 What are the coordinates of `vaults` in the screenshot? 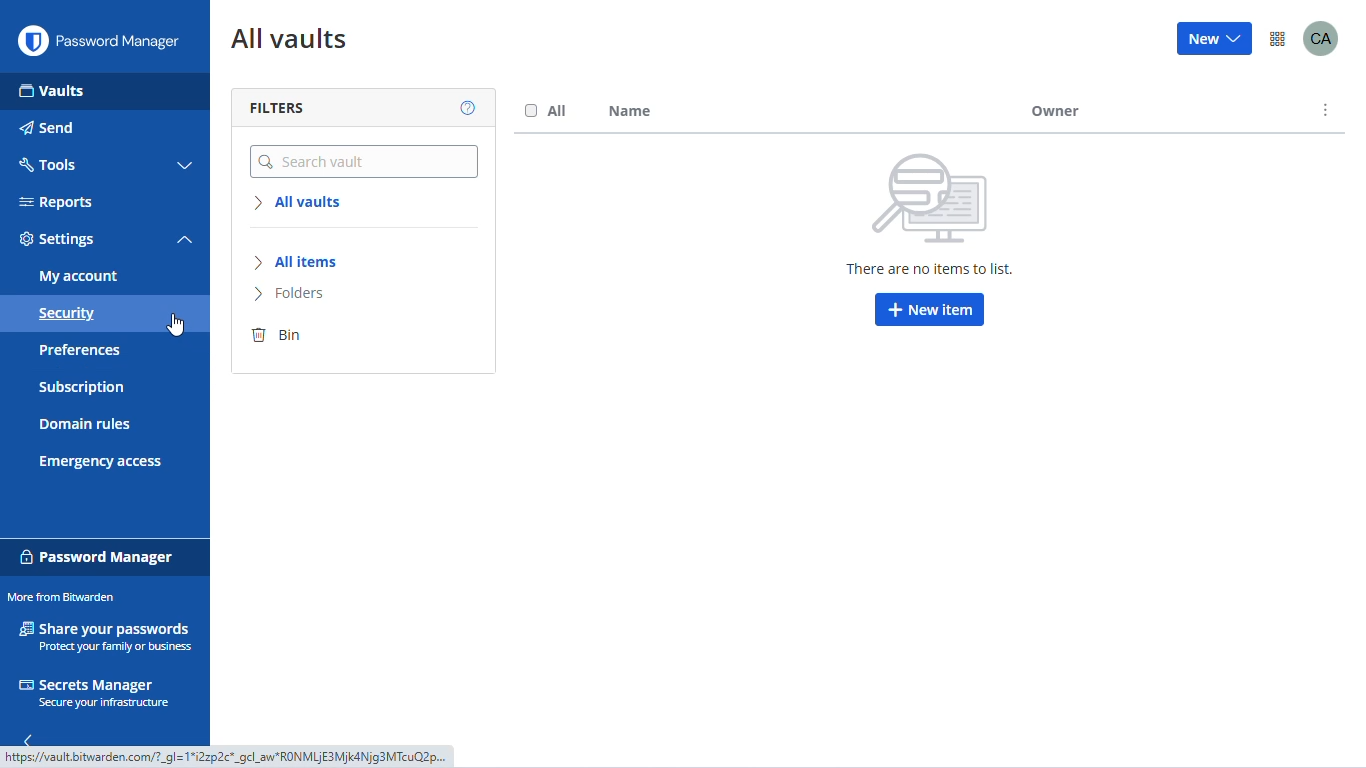 It's located at (52, 91).